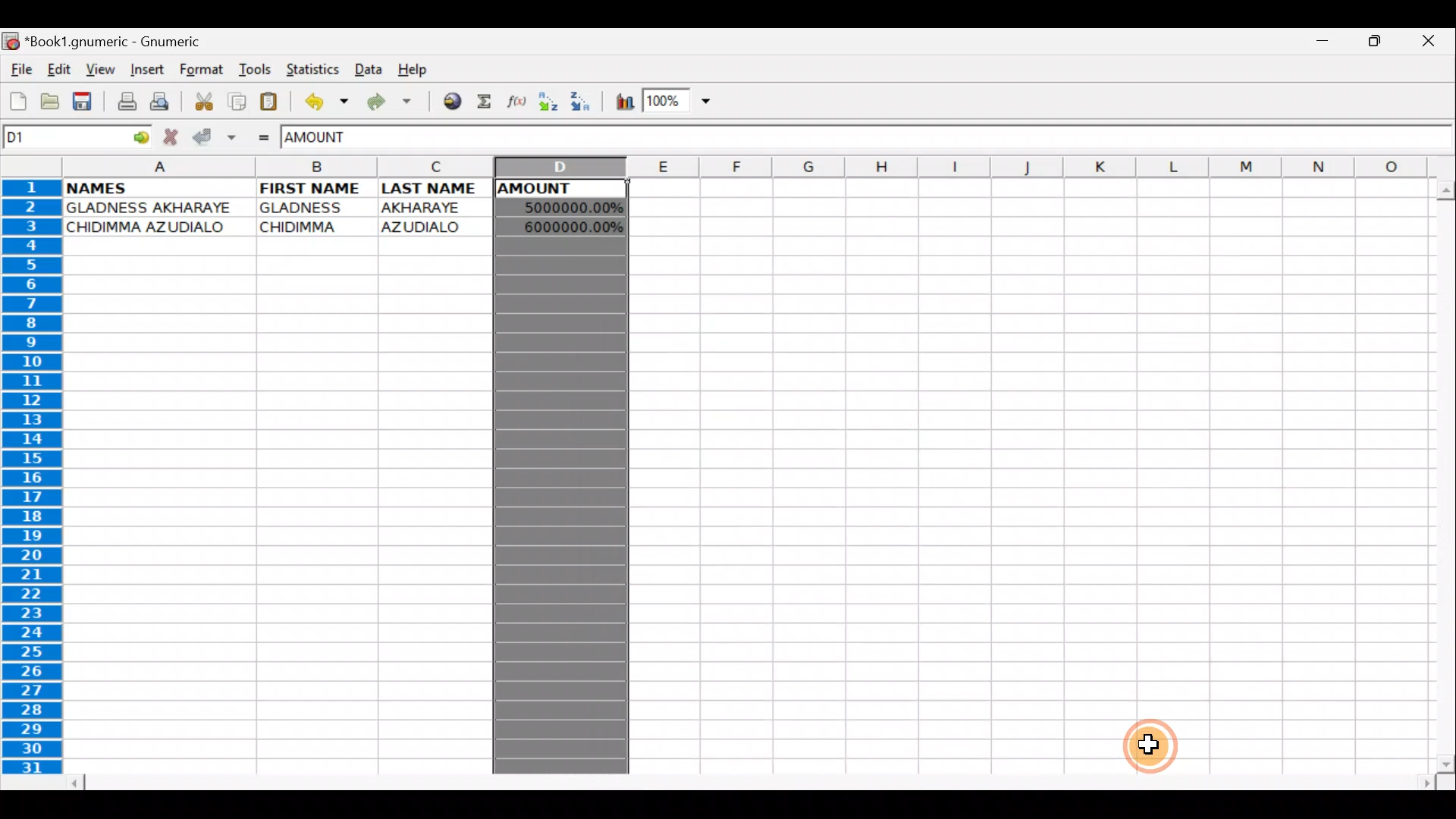 Image resolution: width=1456 pixels, height=819 pixels. What do you see at coordinates (155, 207) in the screenshot?
I see `GLADNESS AKHARAYE` at bounding box center [155, 207].